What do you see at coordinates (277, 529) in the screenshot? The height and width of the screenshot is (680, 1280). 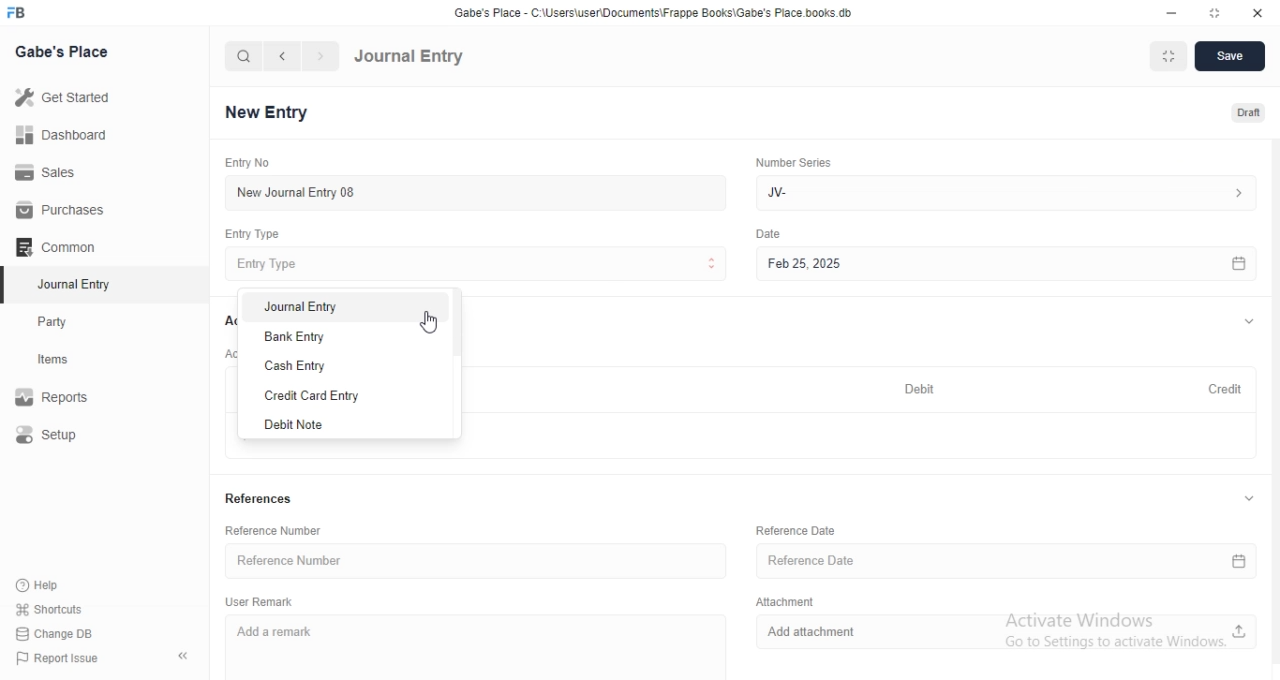 I see `Reference Number` at bounding box center [277, 529].